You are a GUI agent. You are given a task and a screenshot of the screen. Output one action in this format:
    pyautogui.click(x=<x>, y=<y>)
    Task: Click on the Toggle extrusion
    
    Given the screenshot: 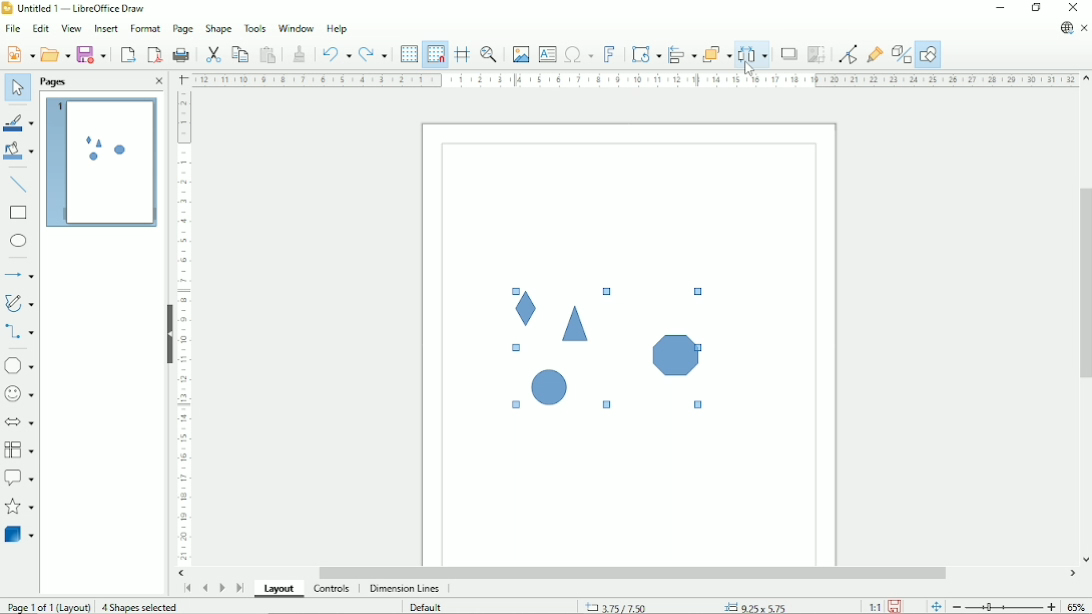 What is the action you would take?
    pyautogui.click(x=902, y=53)
    